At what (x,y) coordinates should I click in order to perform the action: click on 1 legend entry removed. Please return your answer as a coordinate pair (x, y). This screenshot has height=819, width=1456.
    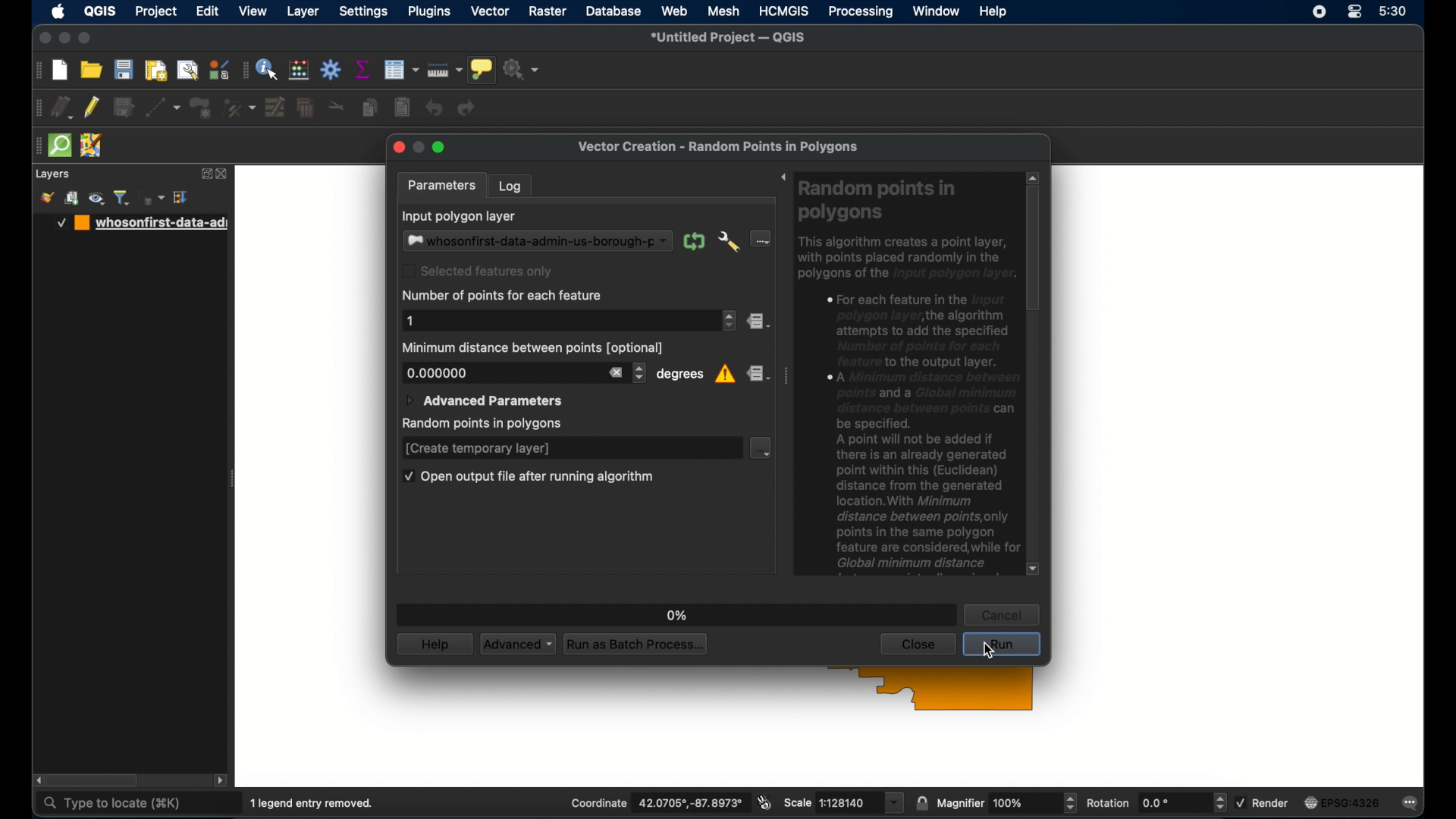
    Looking at the image, I should click on (312, 804).